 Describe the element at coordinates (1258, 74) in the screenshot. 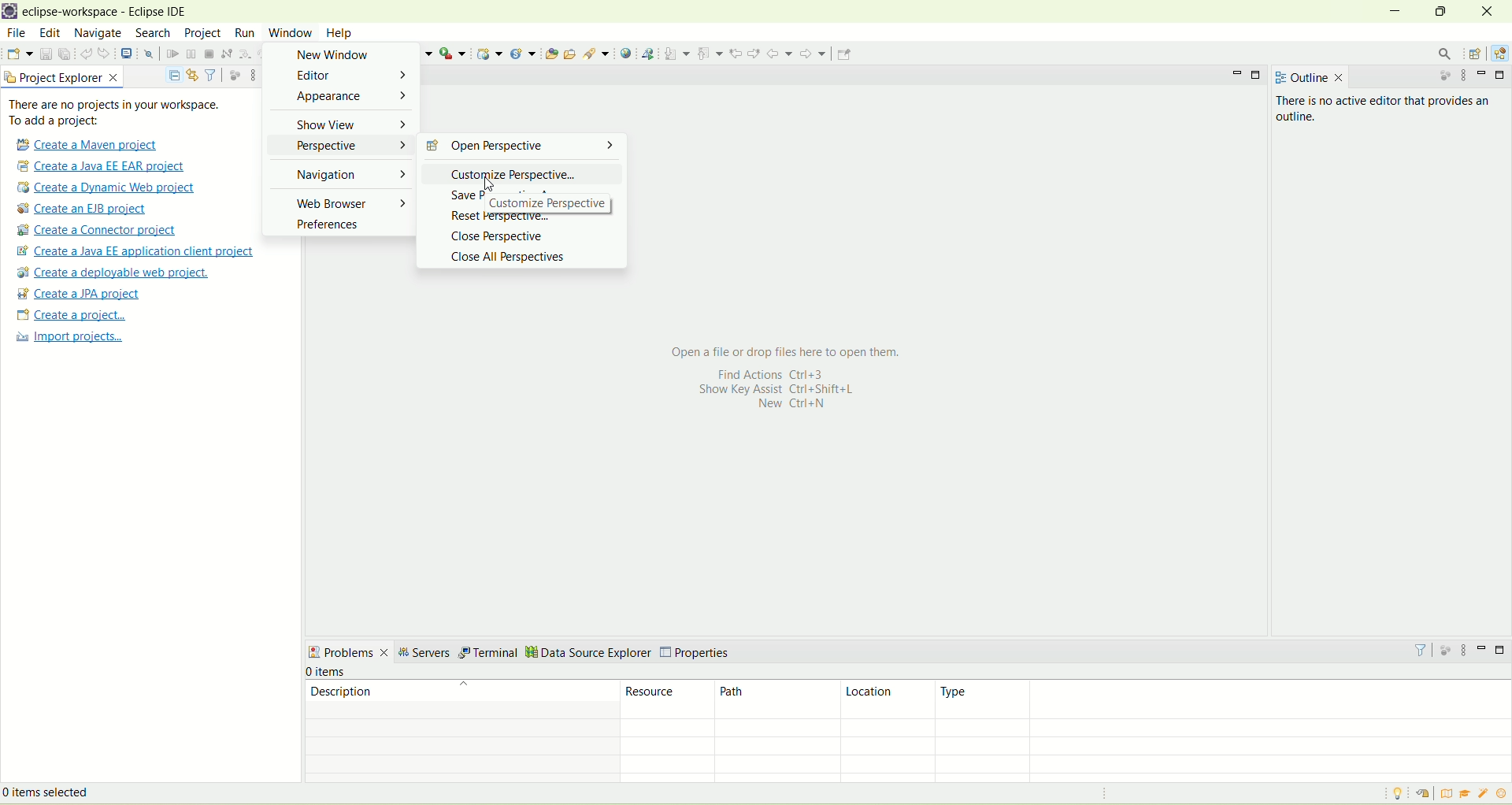

I see `maximize` at that location.